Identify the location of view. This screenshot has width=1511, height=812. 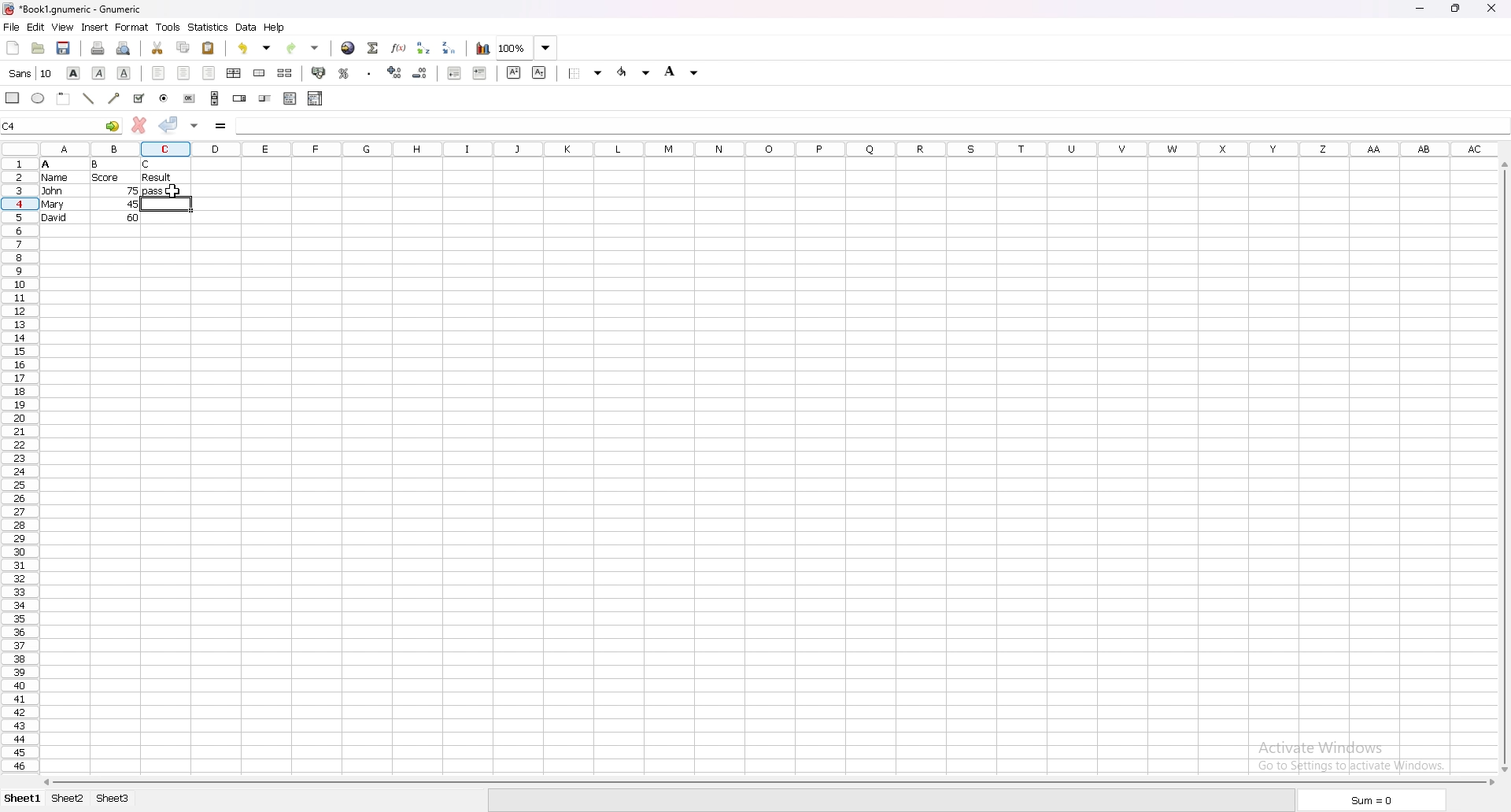
(61, 27).